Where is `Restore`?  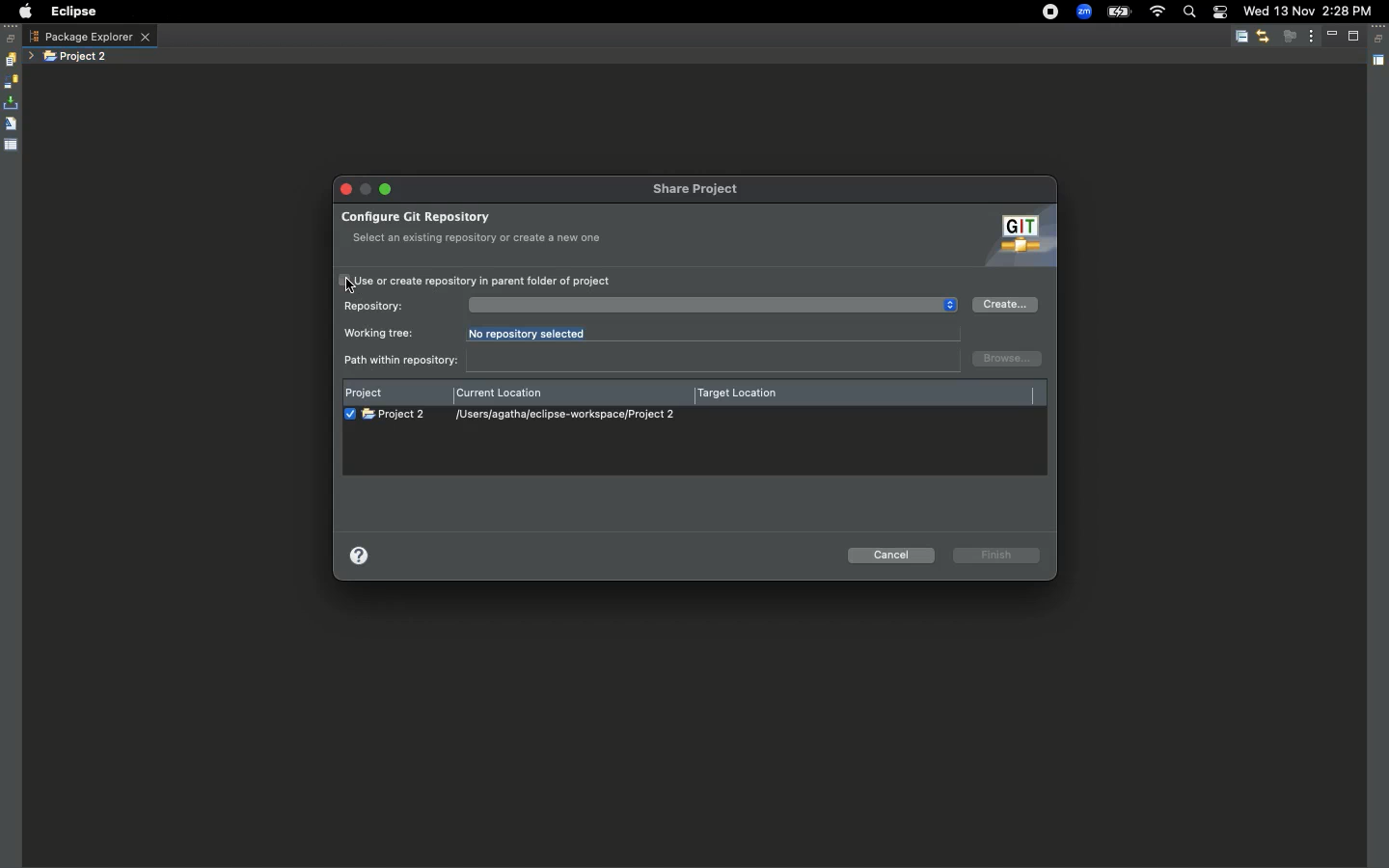 Restore is located at coordinates (1380, 40).